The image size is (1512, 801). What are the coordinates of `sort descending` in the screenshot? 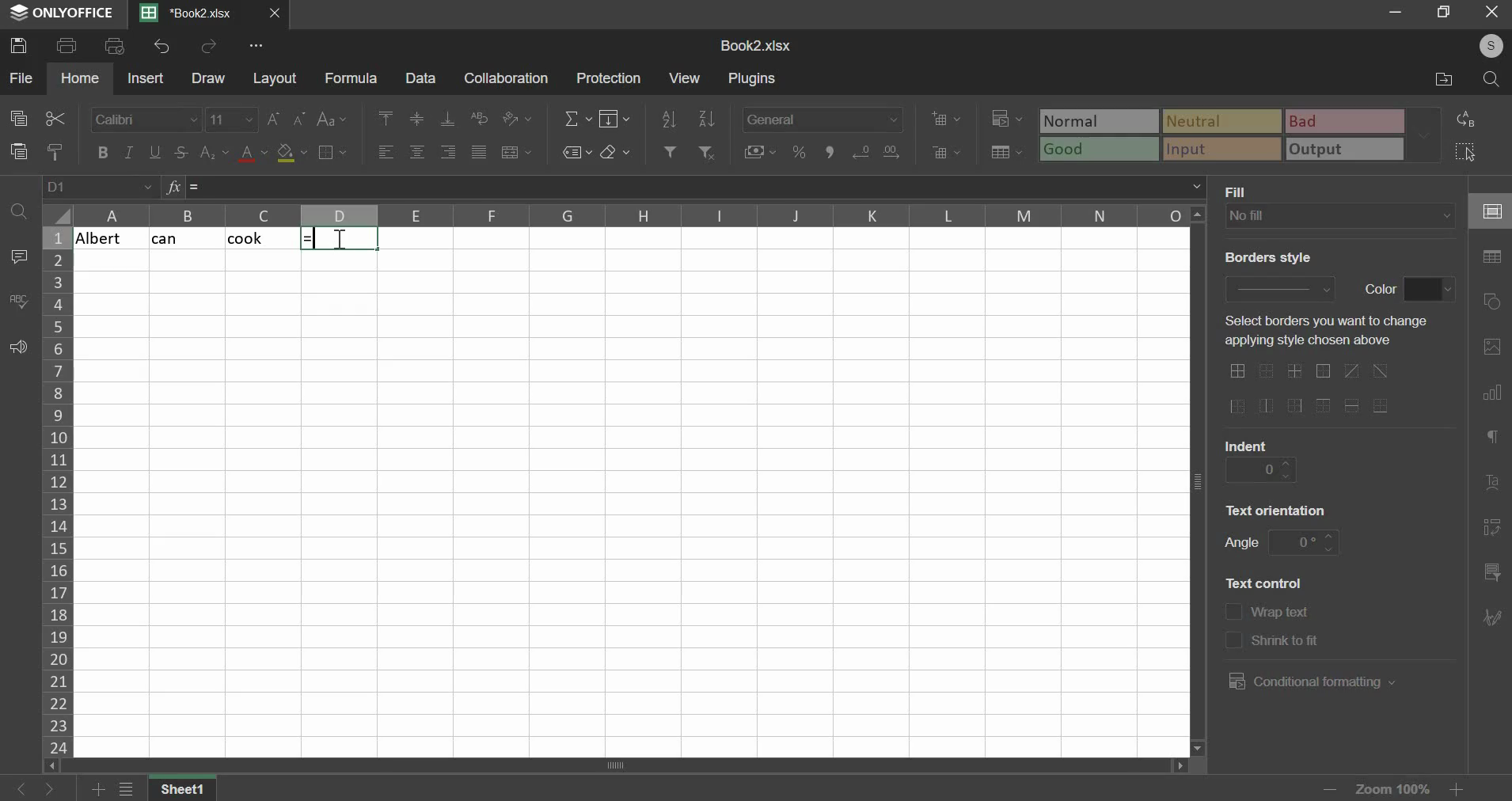 It's located at (706, 118).